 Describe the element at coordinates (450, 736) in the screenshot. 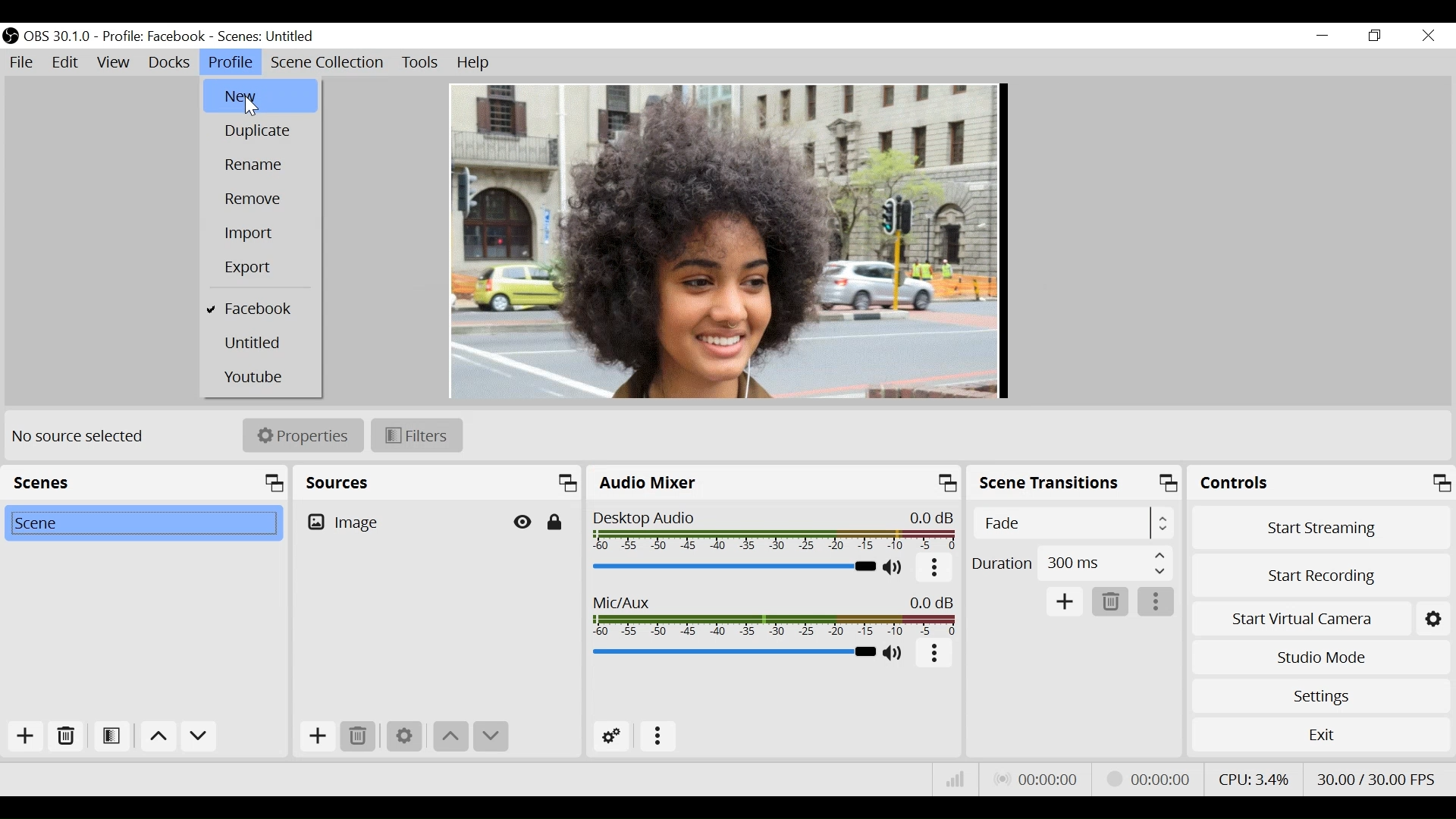

I see `Move up` at that location.